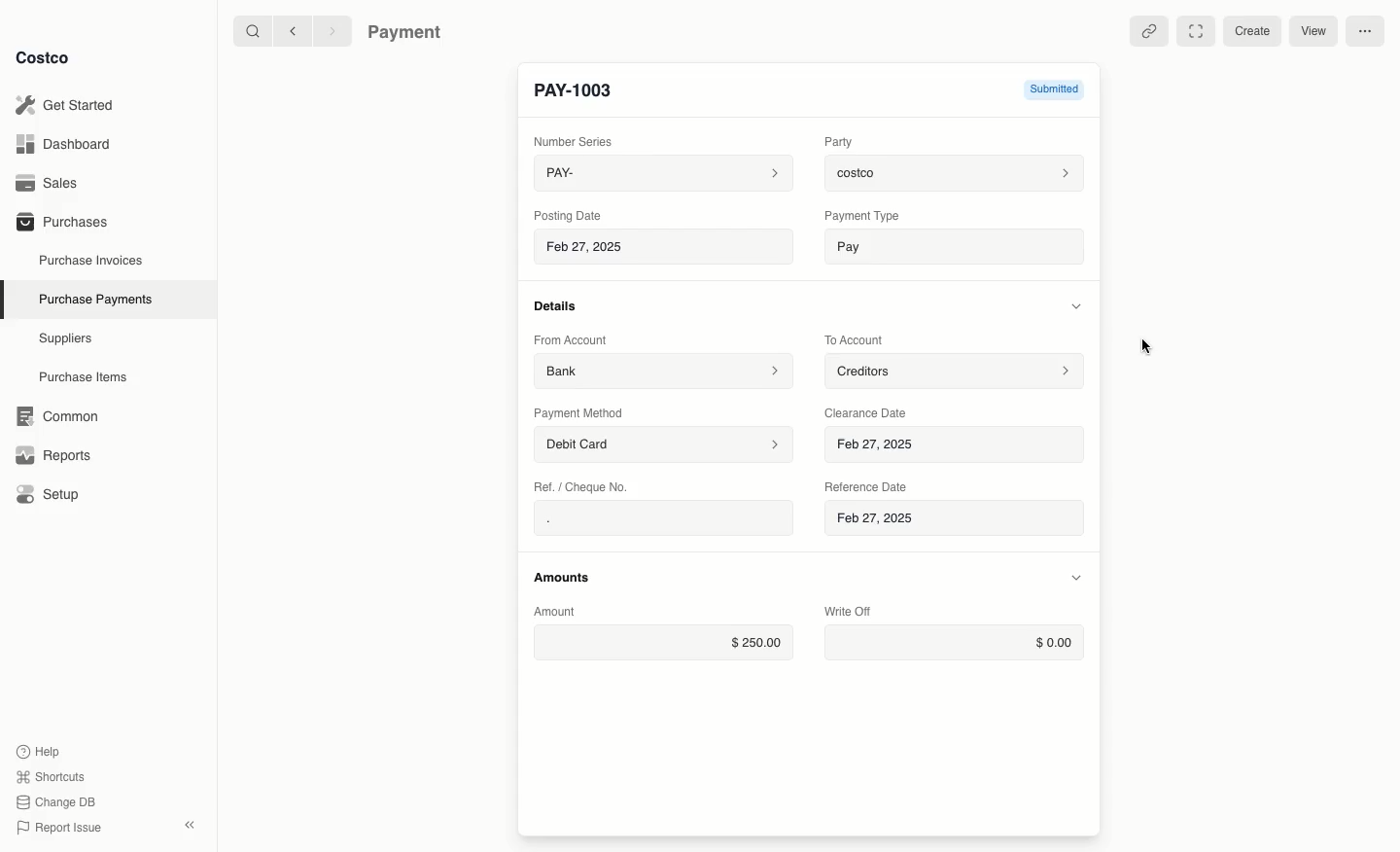 The image size is (1400, 852). What do you see at coordinates (94, 298) in the screenshot?
I see `Purchase Payments` at bounding box center [94, 298].